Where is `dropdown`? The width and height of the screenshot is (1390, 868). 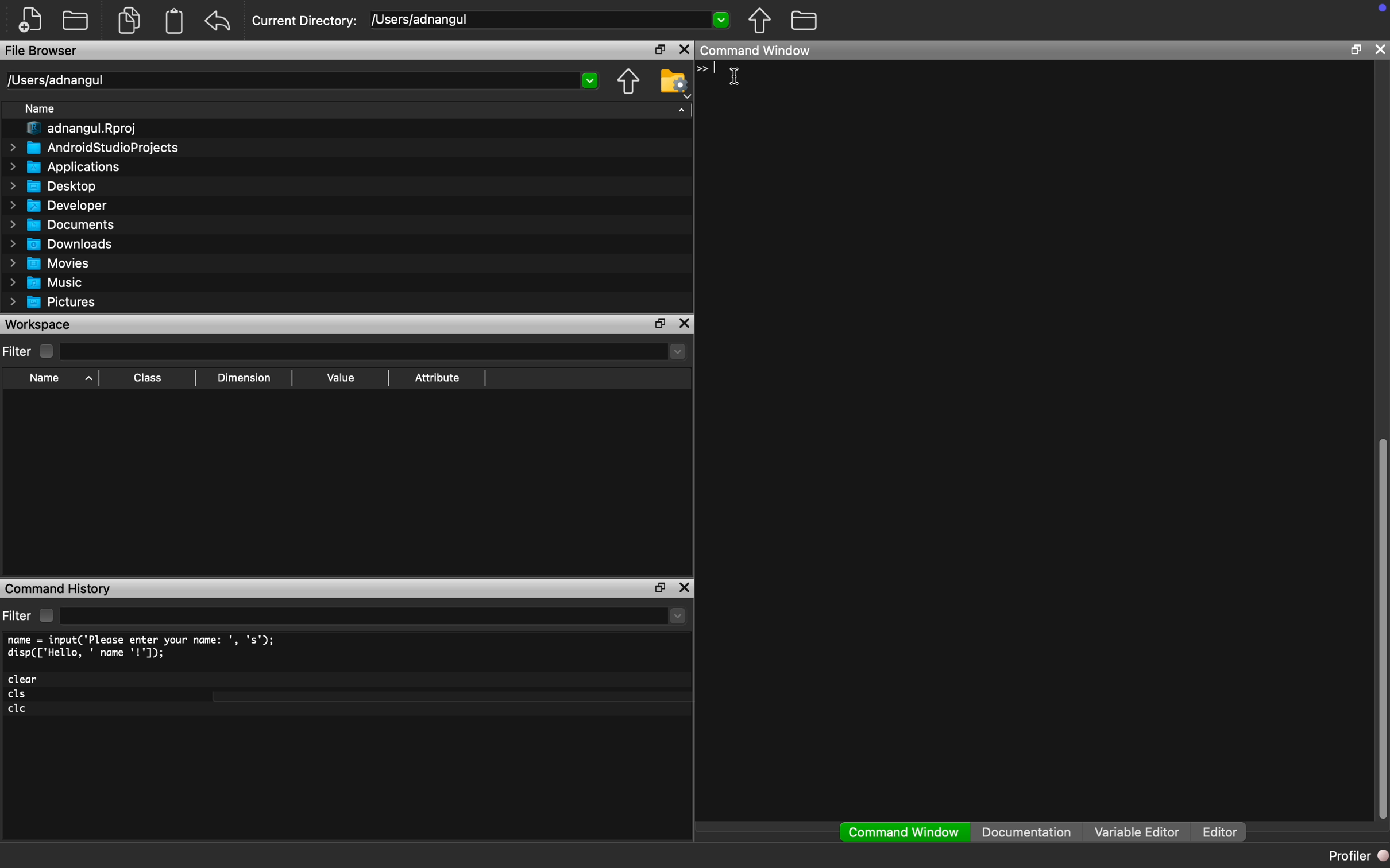
dropdown is located at coordinates (678, 616).